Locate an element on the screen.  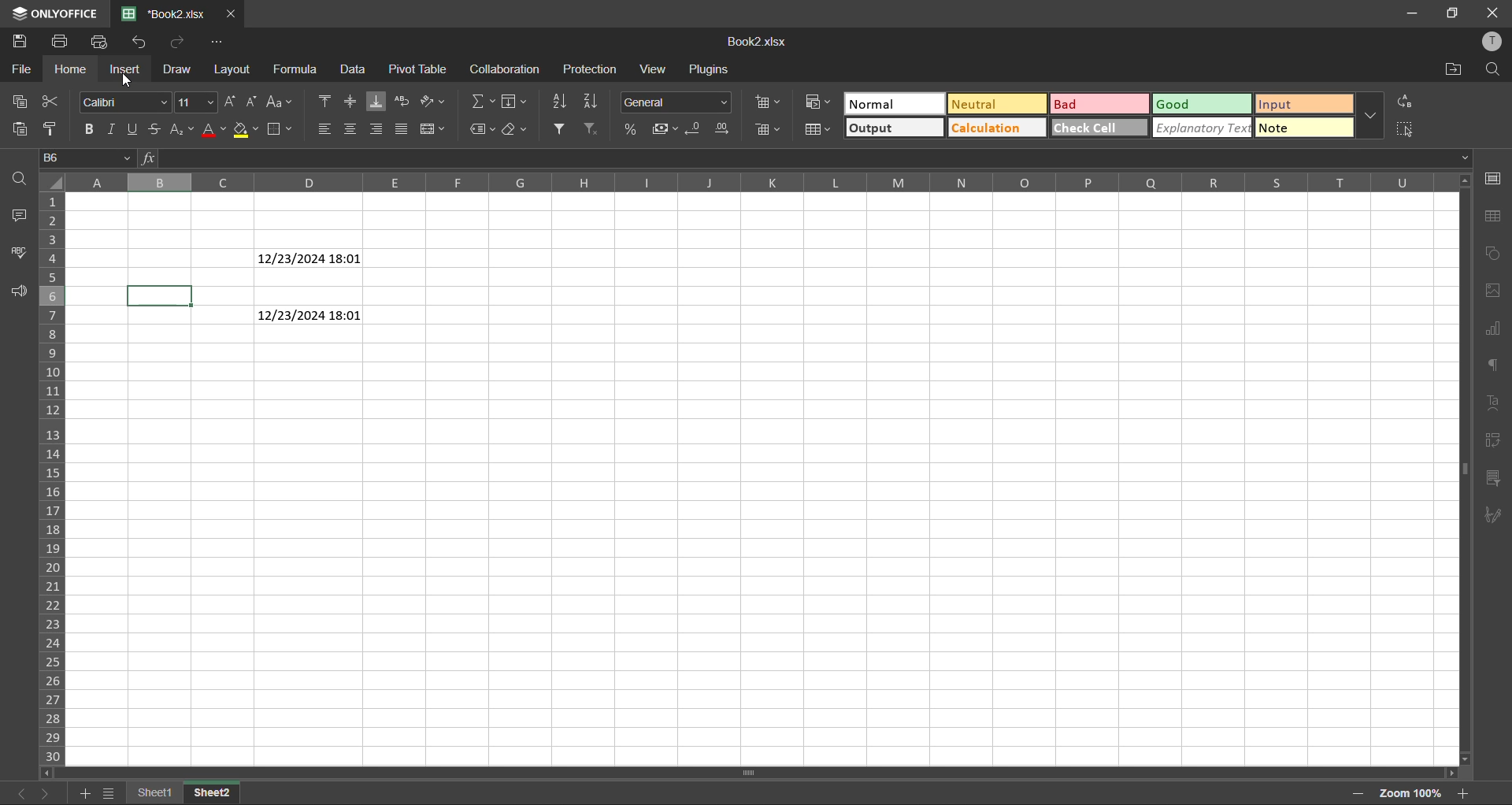
D6 is located at coordinates (88, 158).